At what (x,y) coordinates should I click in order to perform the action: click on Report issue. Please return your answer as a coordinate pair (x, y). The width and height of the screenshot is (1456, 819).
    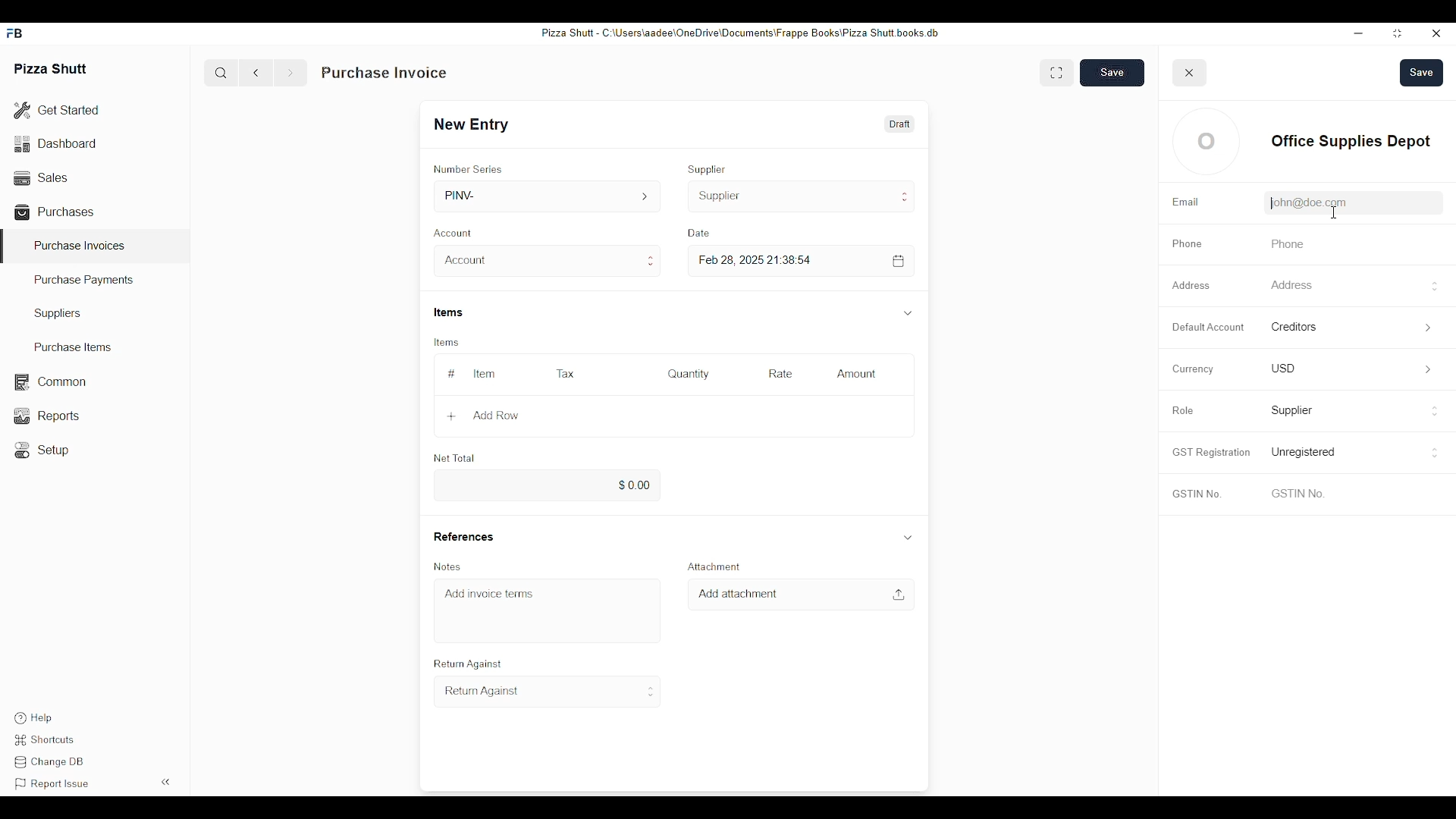
    Looking at the image, I should click on (52, 784).